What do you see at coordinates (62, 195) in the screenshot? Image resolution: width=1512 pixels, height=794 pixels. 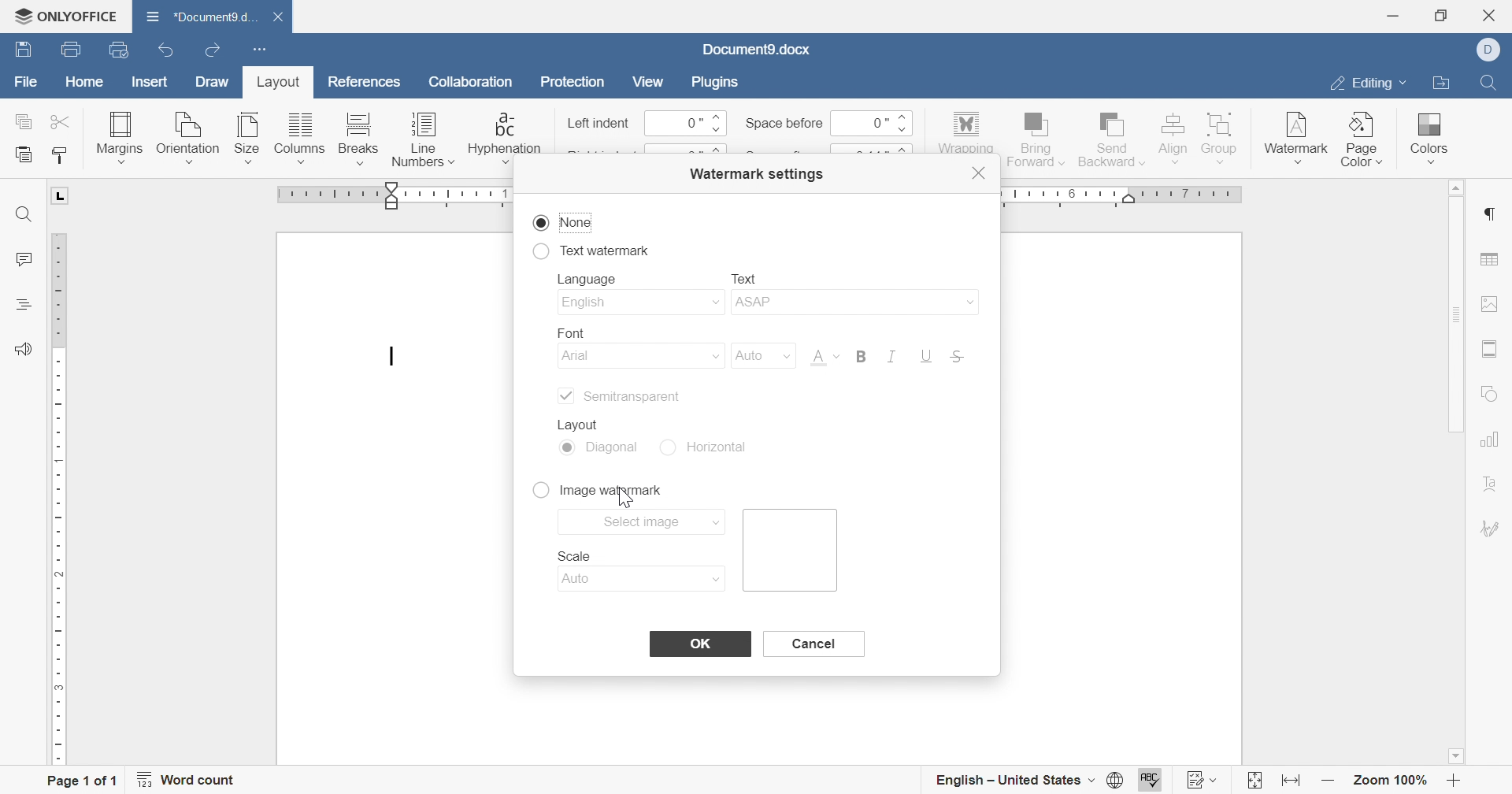 I see `L` at bounding box center [62, 195].